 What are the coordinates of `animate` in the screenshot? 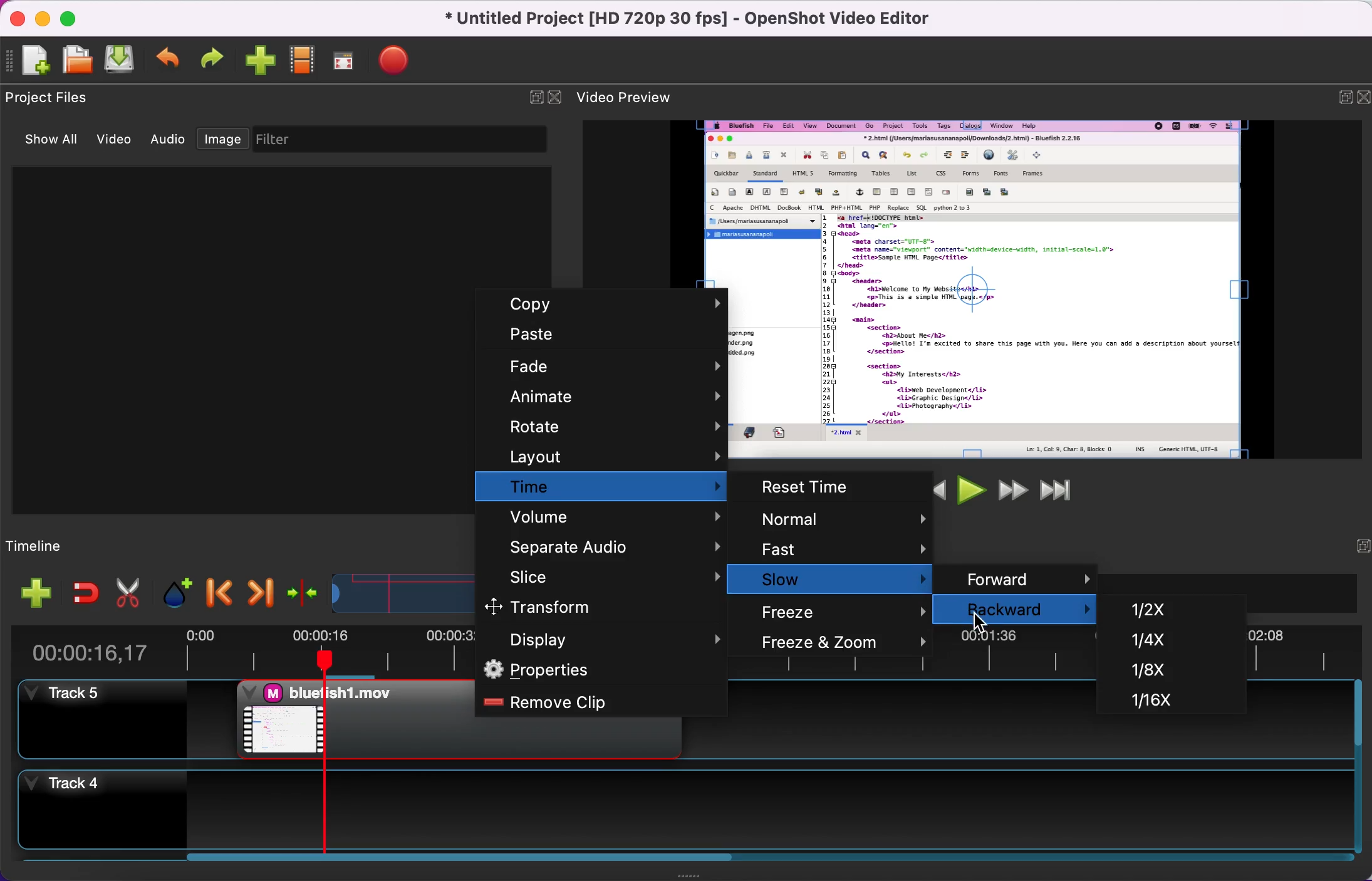 It's located at (598, 396).